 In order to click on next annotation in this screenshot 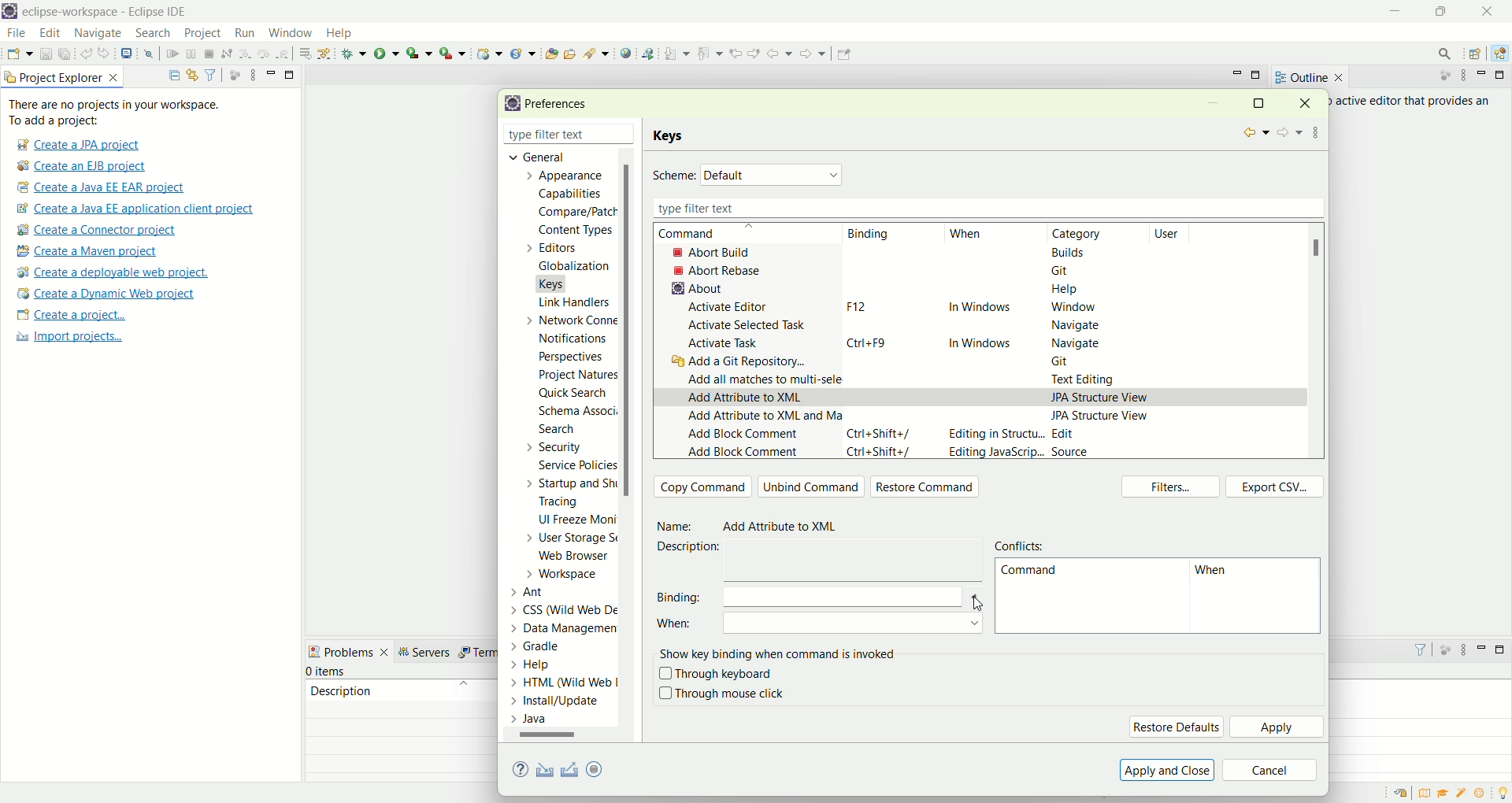, I will do `click(677, 53)`.